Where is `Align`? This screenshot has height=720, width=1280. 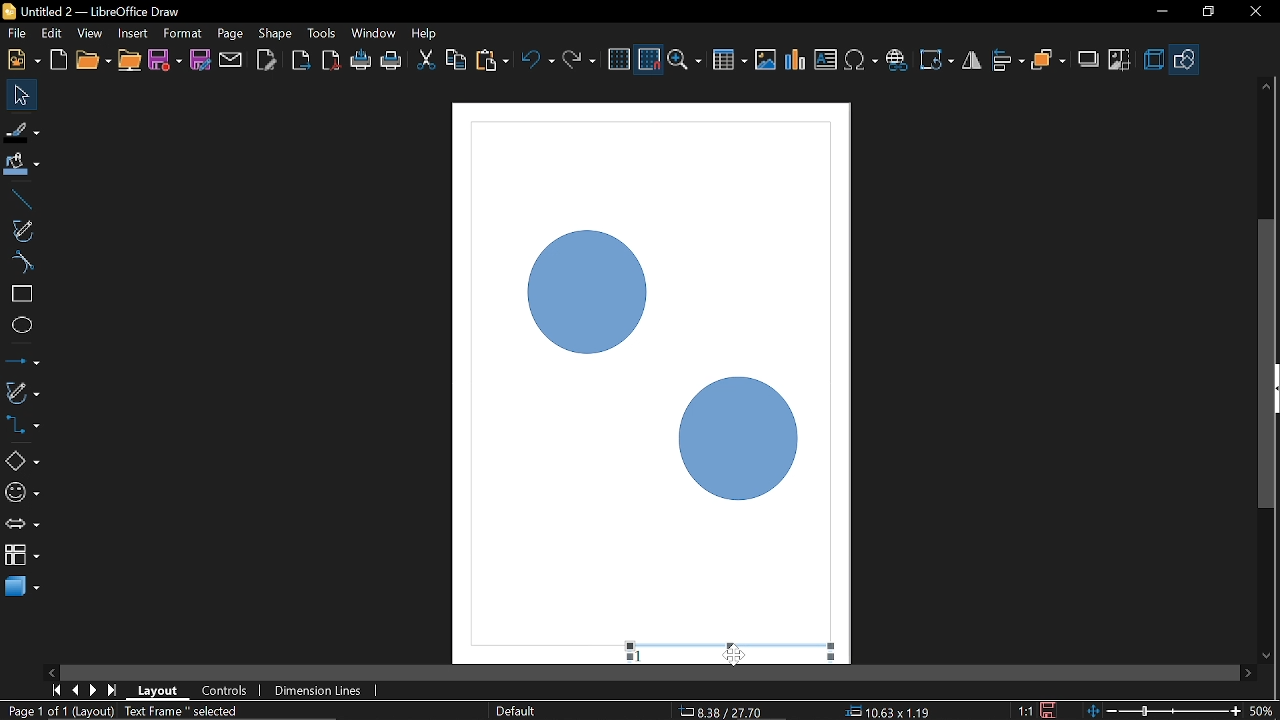
Align is located at coordinates (1009, 61).